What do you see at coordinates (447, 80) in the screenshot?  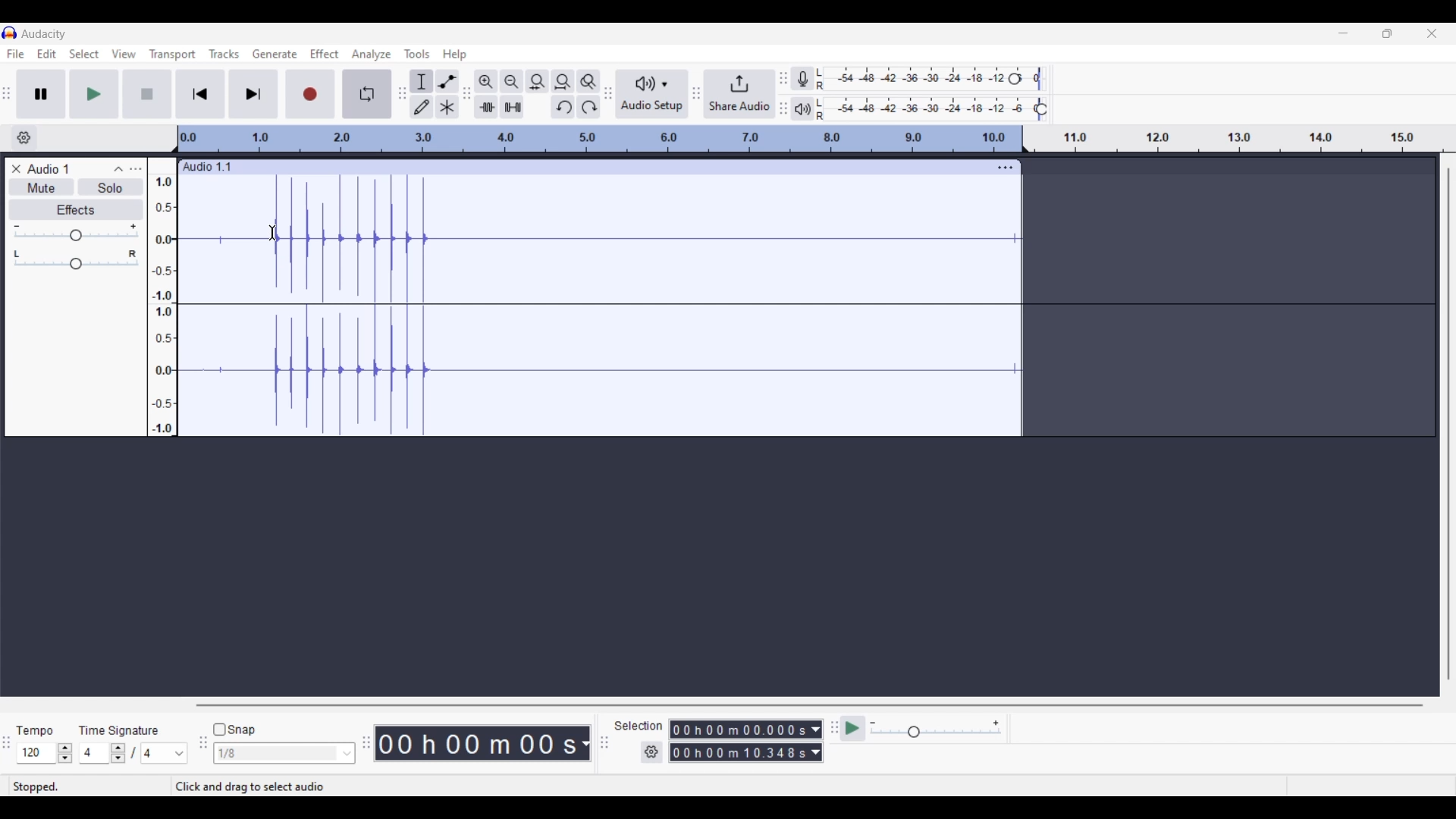 I see `Envelop tool` at bounding box center [447, 80].